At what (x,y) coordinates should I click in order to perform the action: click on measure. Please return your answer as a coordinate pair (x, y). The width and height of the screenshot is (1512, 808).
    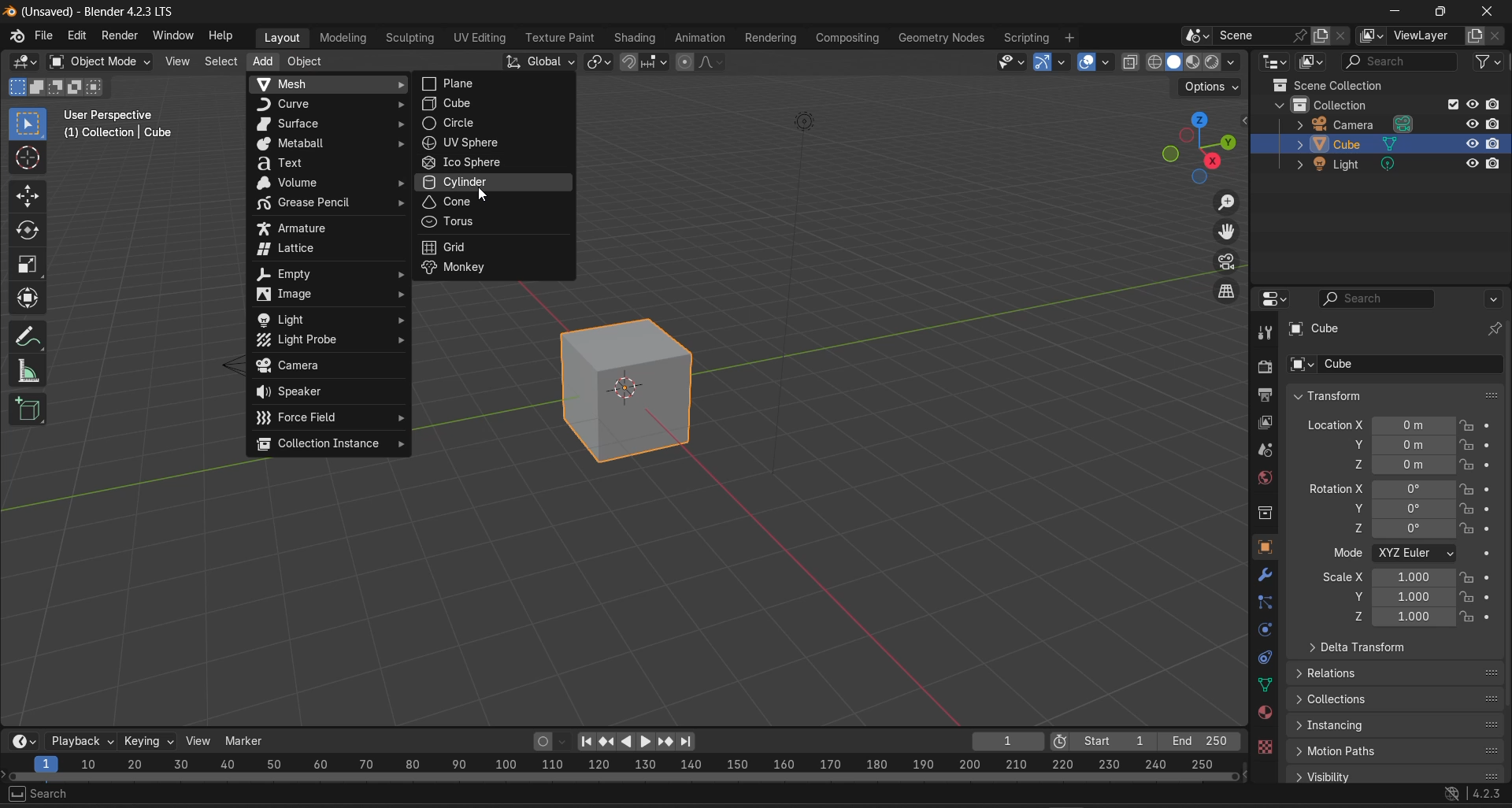
    Looking at the image, I should click on (31, 374).